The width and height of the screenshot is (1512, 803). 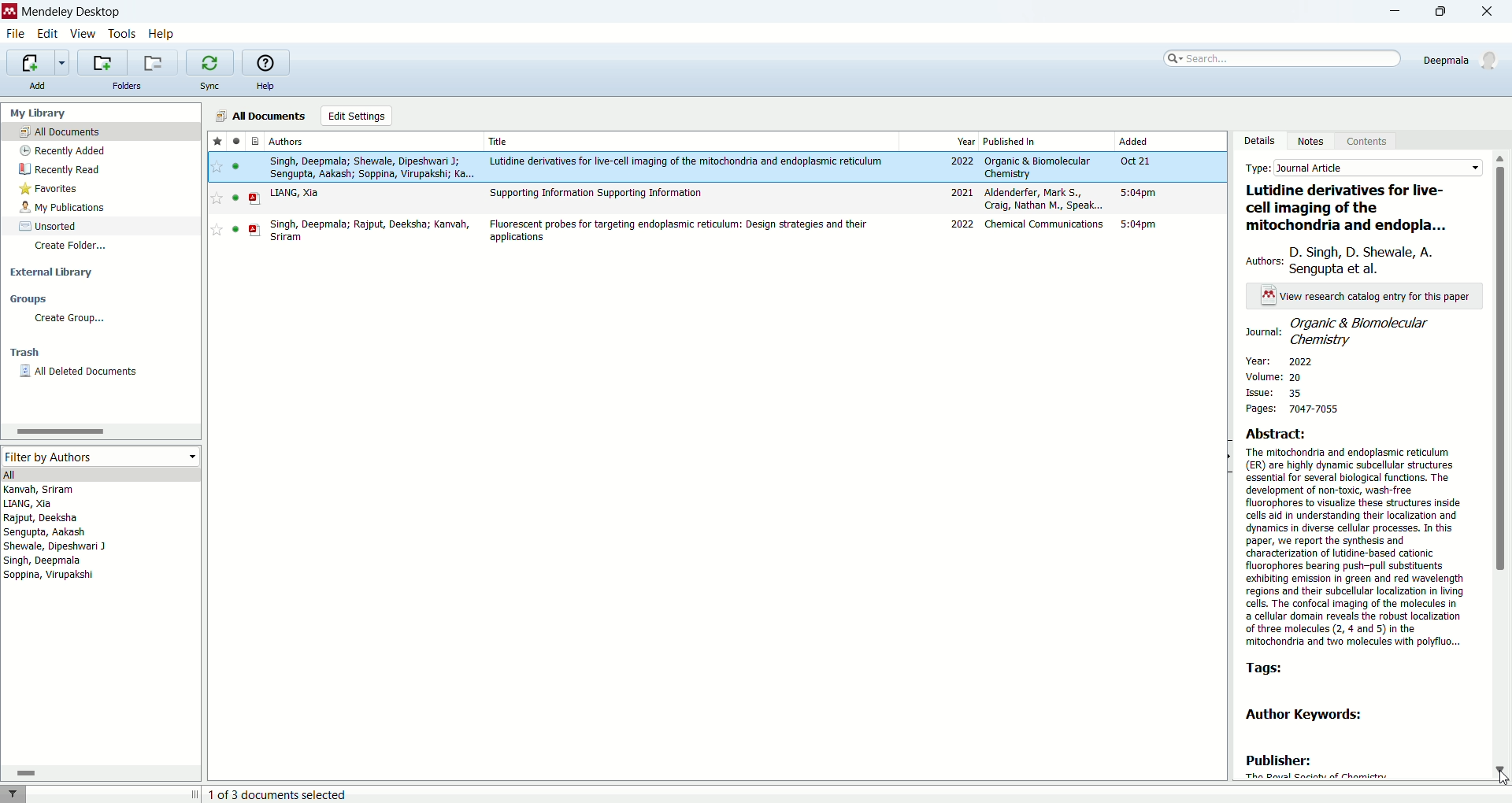 I want to click on publisher: , so click(x=1279, y=761).